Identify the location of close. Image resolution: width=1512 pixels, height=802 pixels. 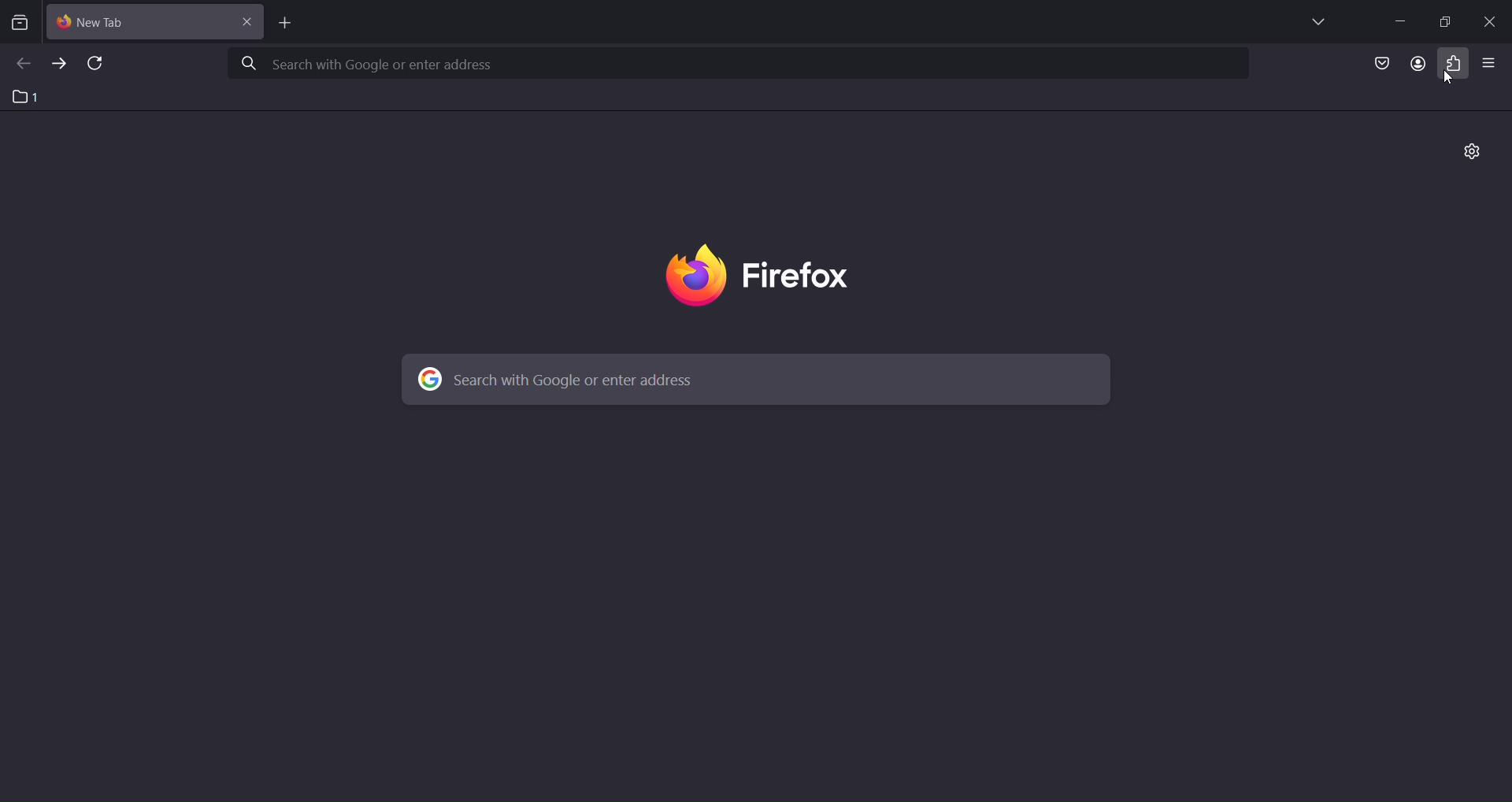
(242, 20).